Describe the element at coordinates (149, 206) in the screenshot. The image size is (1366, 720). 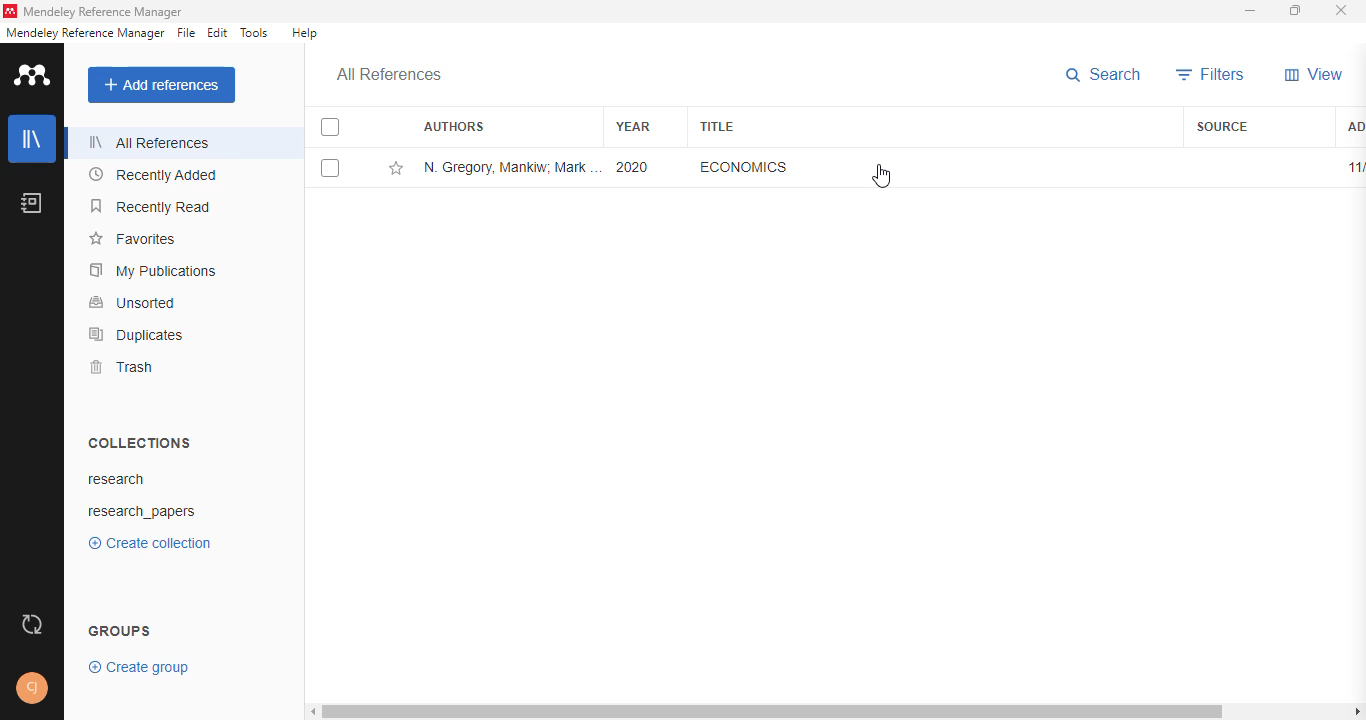
I see `recently read` at that location.